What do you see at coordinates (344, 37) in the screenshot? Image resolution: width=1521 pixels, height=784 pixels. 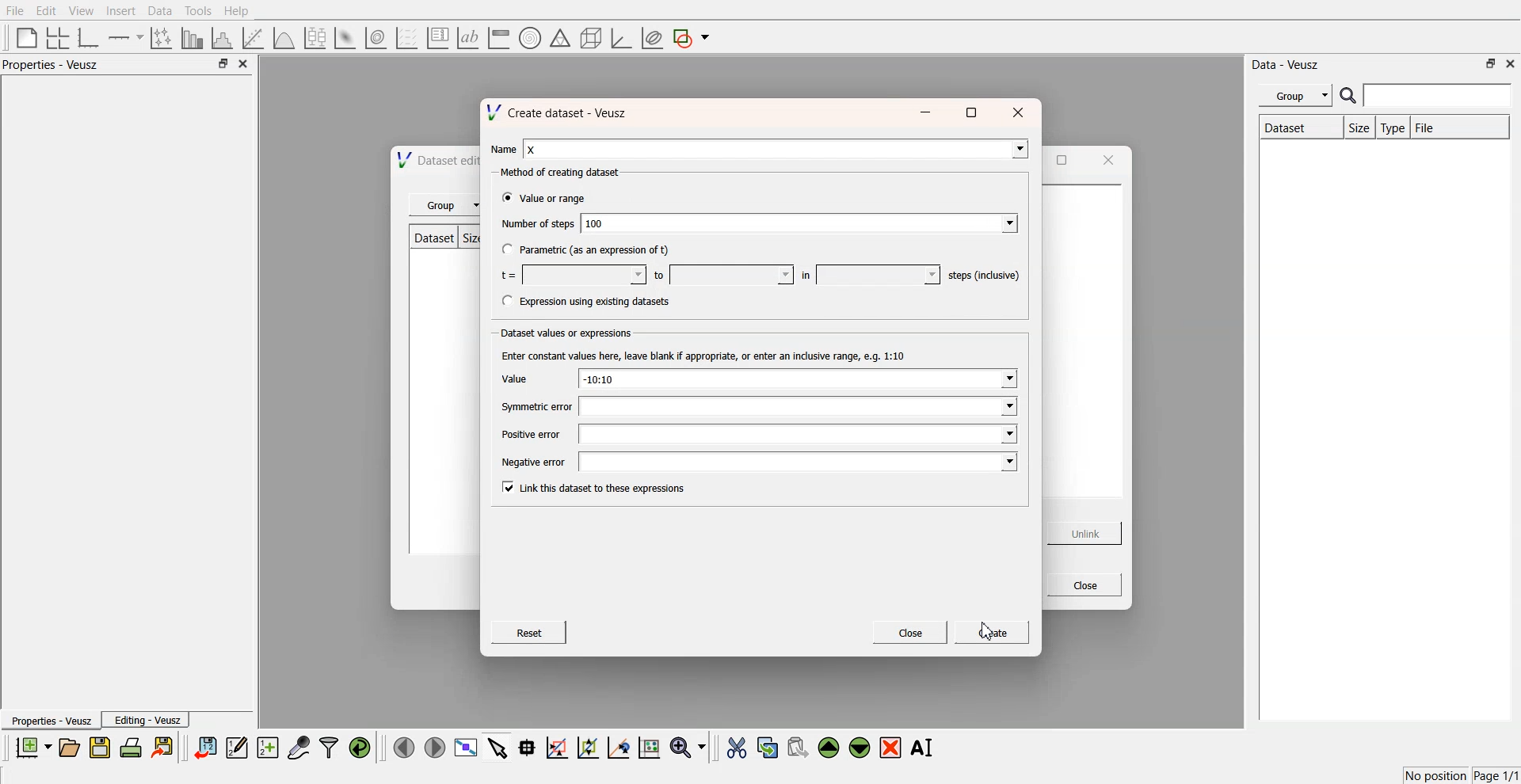 I see `plot a 2d datasets as image` at bounding box center [344, 37].